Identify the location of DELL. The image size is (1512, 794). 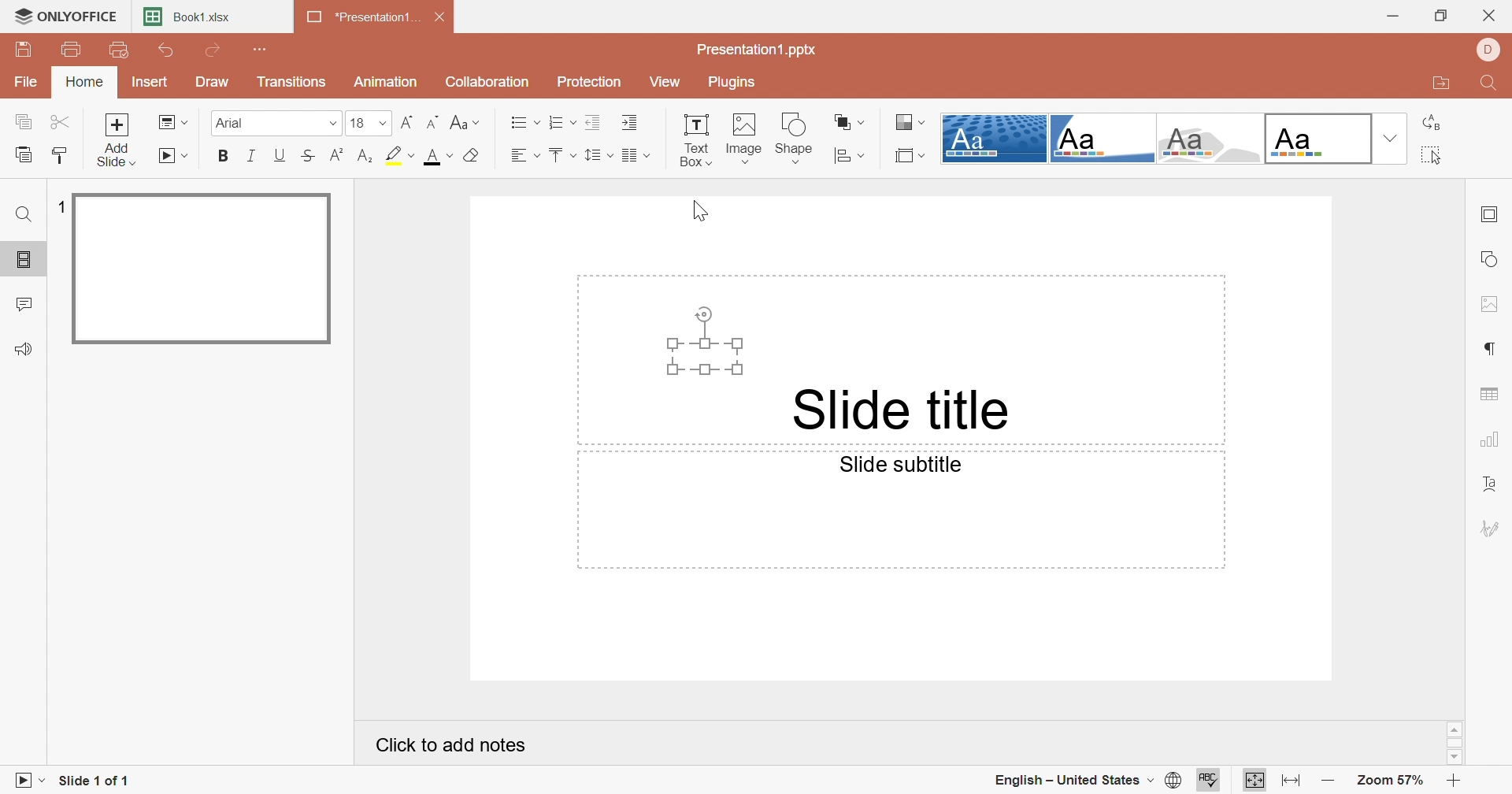
(1492, 47).